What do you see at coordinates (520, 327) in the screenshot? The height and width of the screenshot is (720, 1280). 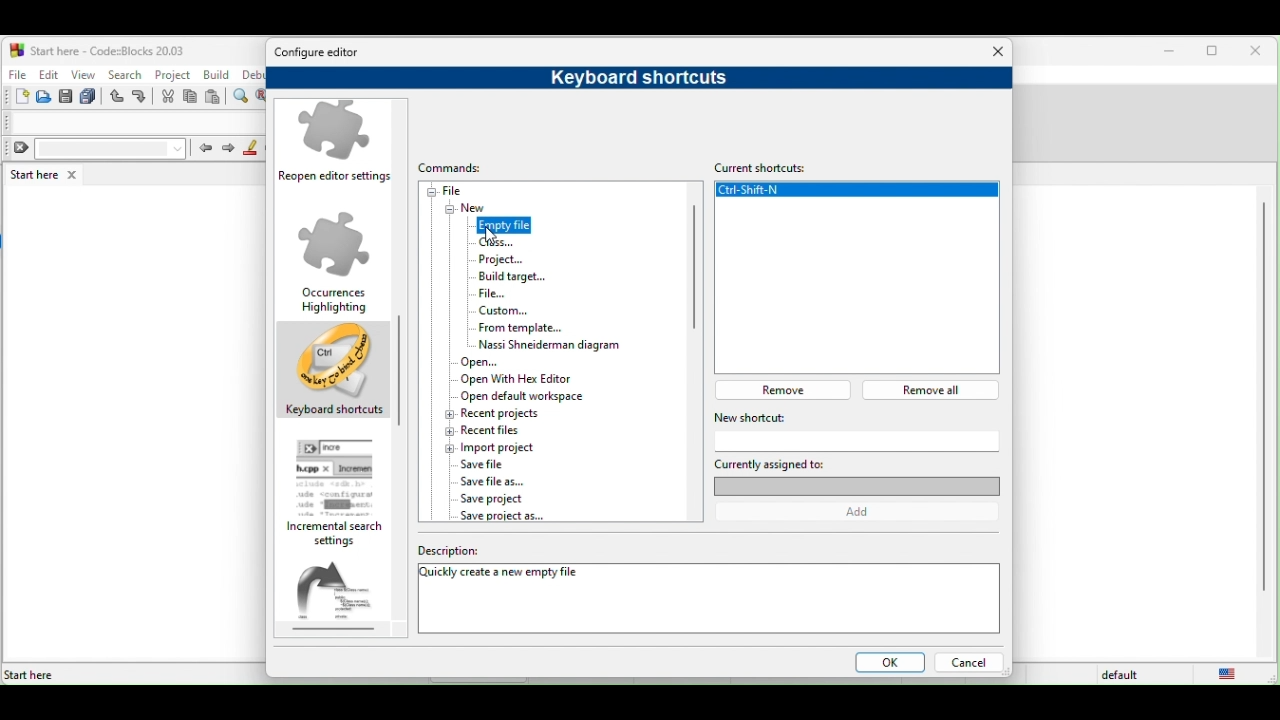 I see `form template` at bounding box center [520, 327].